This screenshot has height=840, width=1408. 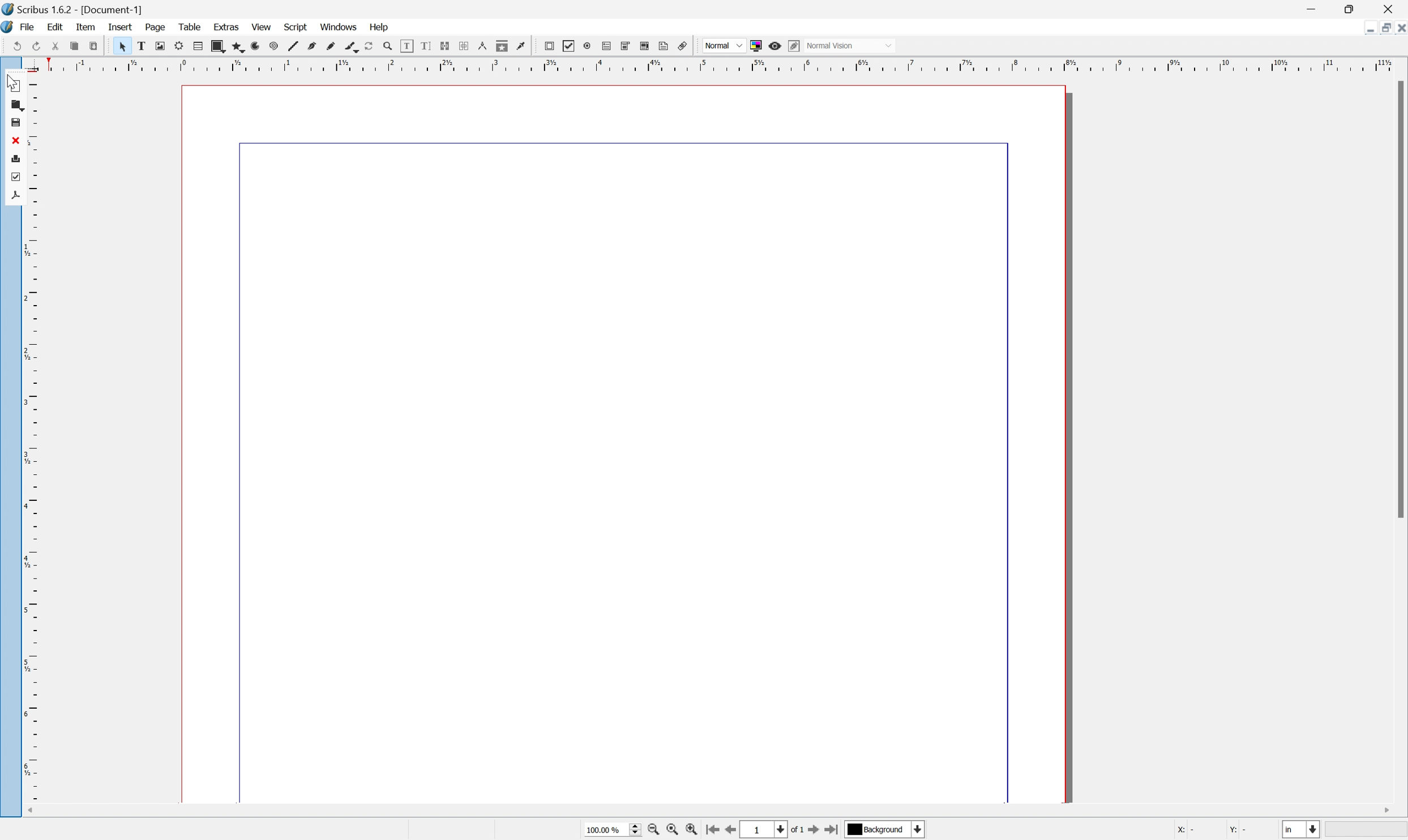 I want to click on spiral, so click(x=408, y=45).